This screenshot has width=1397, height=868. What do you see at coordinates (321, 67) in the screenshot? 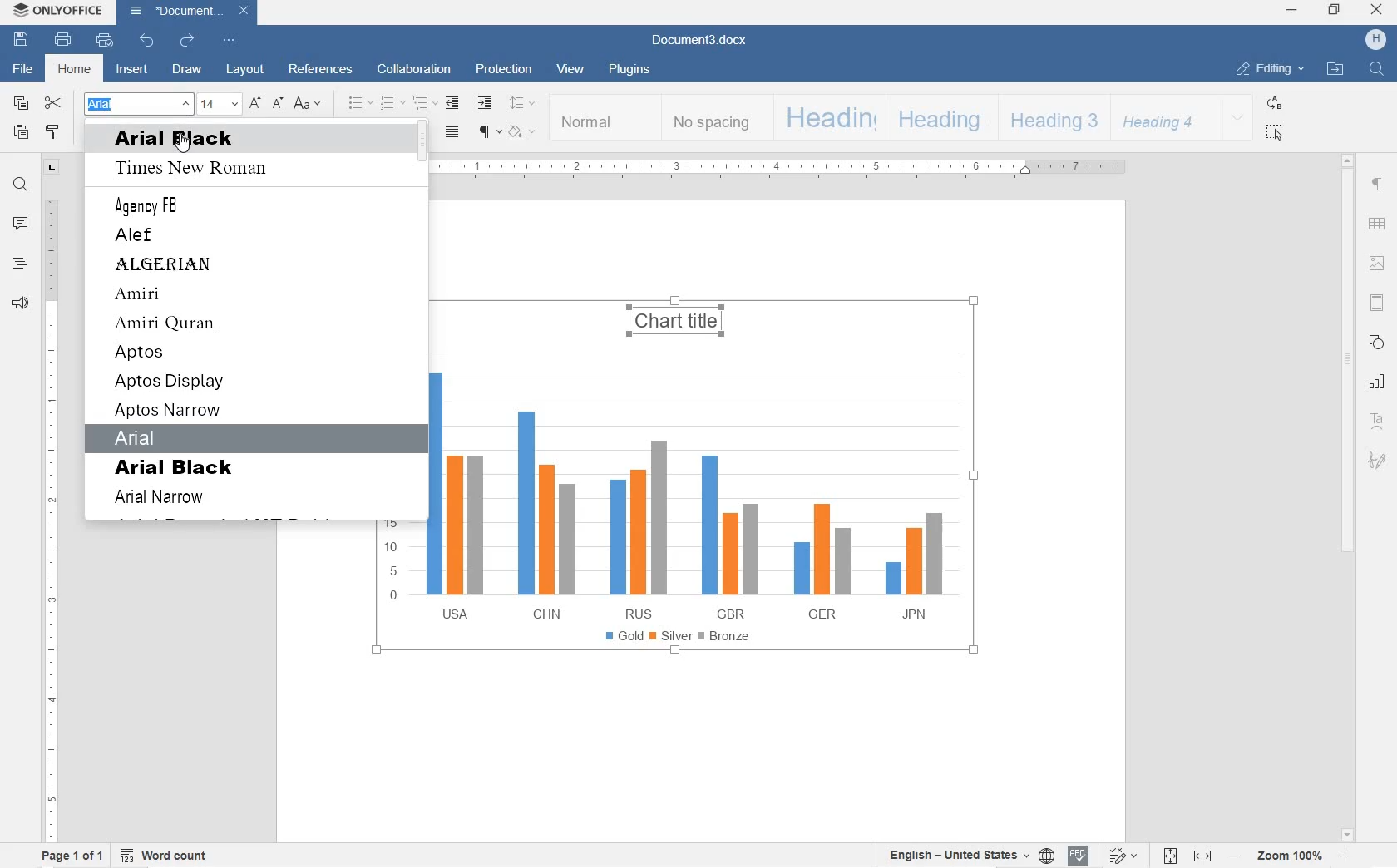
I see `REFERENCES` at bounding box center [321, 67].